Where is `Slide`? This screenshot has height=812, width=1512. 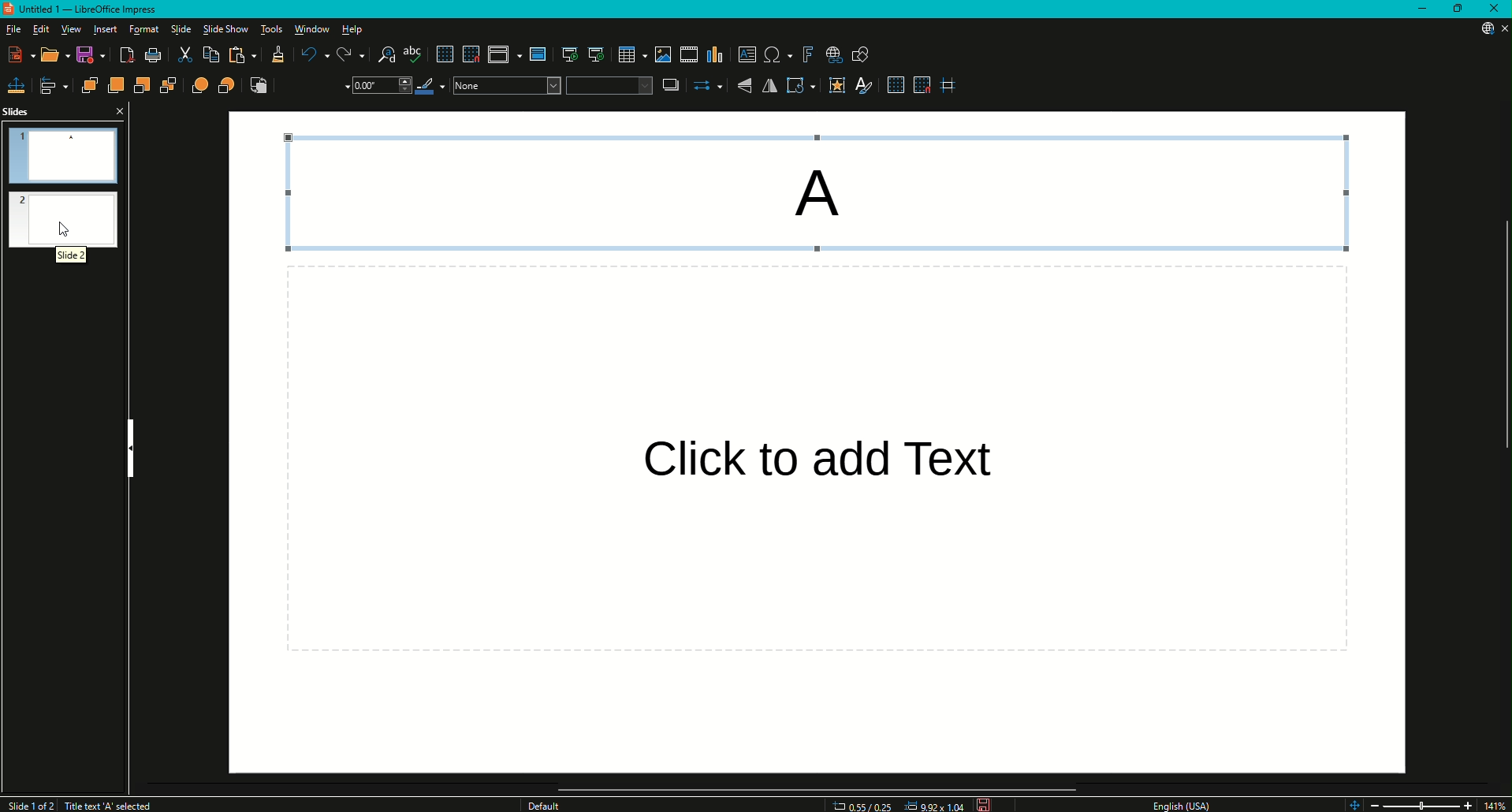 Slide is located at coordinates (181, 30).